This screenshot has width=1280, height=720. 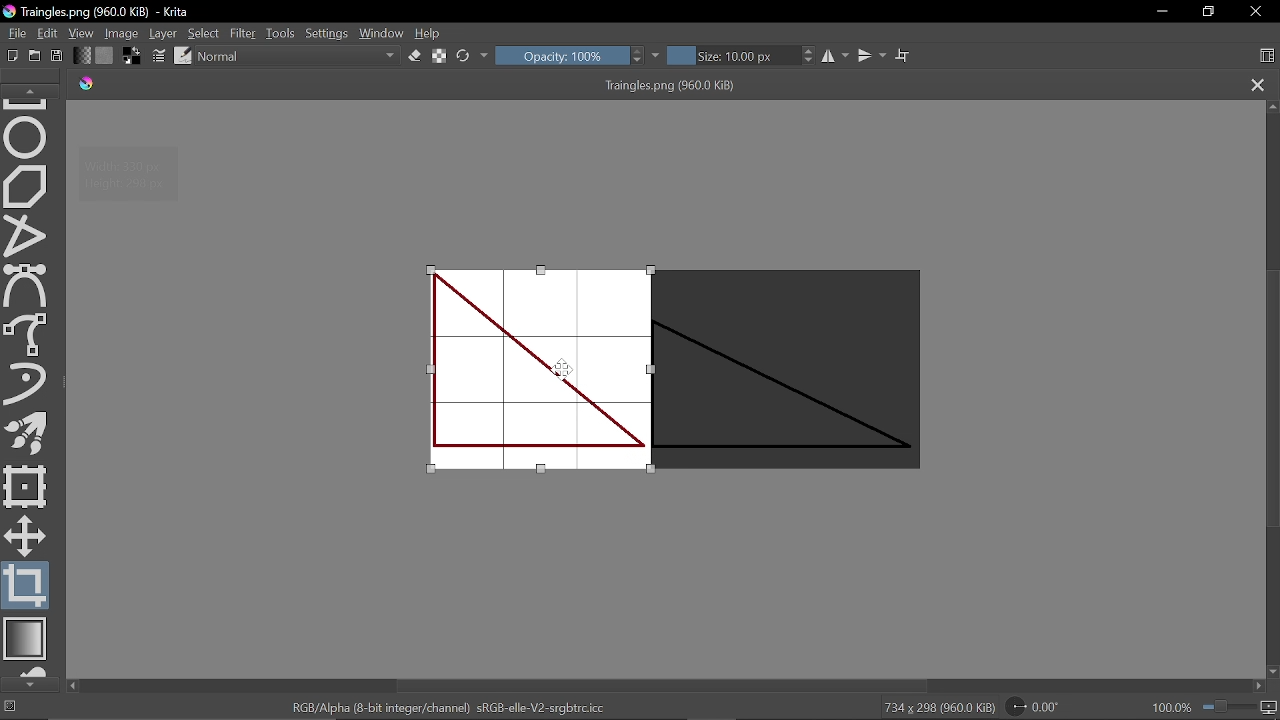 What do you see at coordinates (26, 485) in the screenshot?
I see `Transform a layer or a selection` at bounding box center [26, 485].